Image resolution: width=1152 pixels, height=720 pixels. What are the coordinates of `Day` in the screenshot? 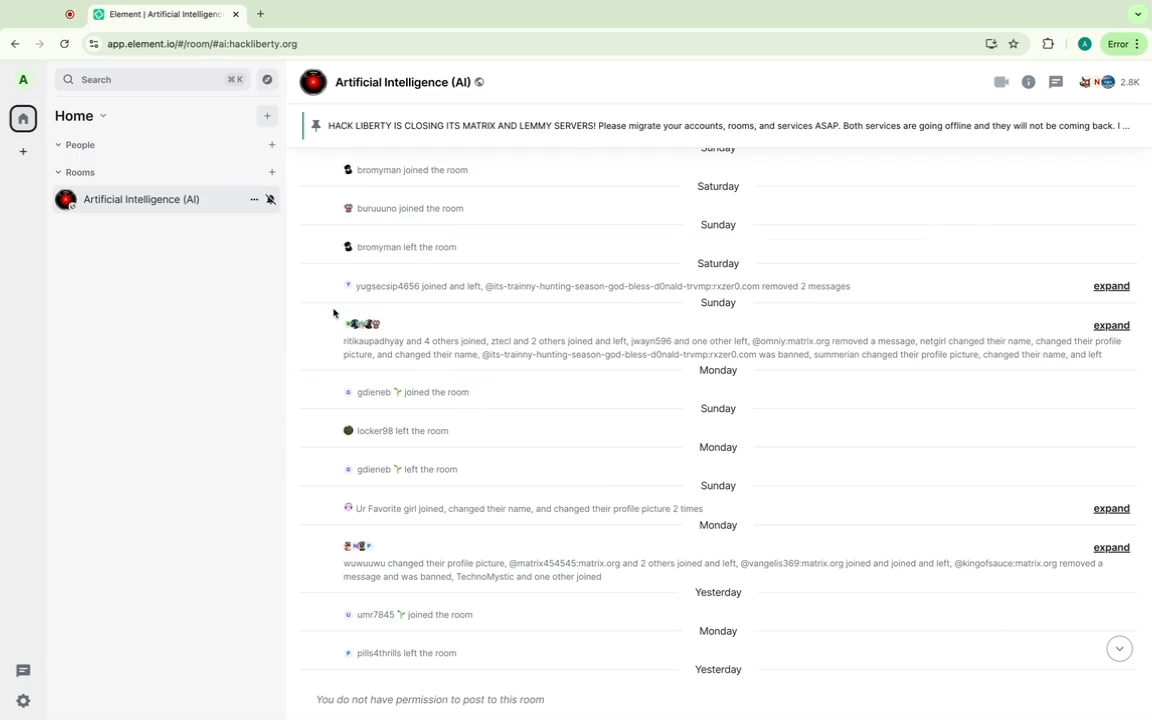 It's located at (723, 593).